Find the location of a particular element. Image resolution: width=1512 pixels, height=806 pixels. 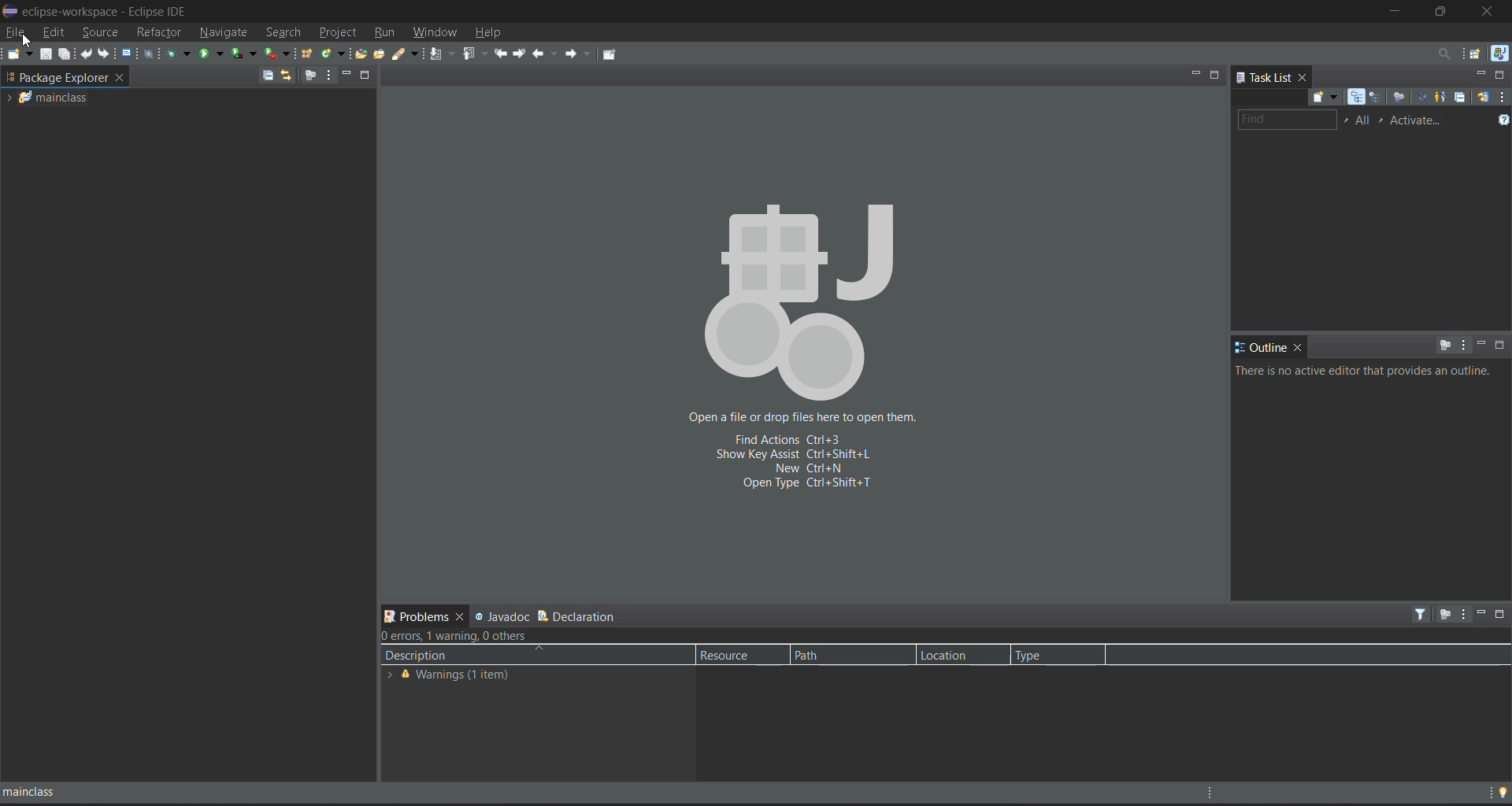

run is located at coordinates (385, 35).